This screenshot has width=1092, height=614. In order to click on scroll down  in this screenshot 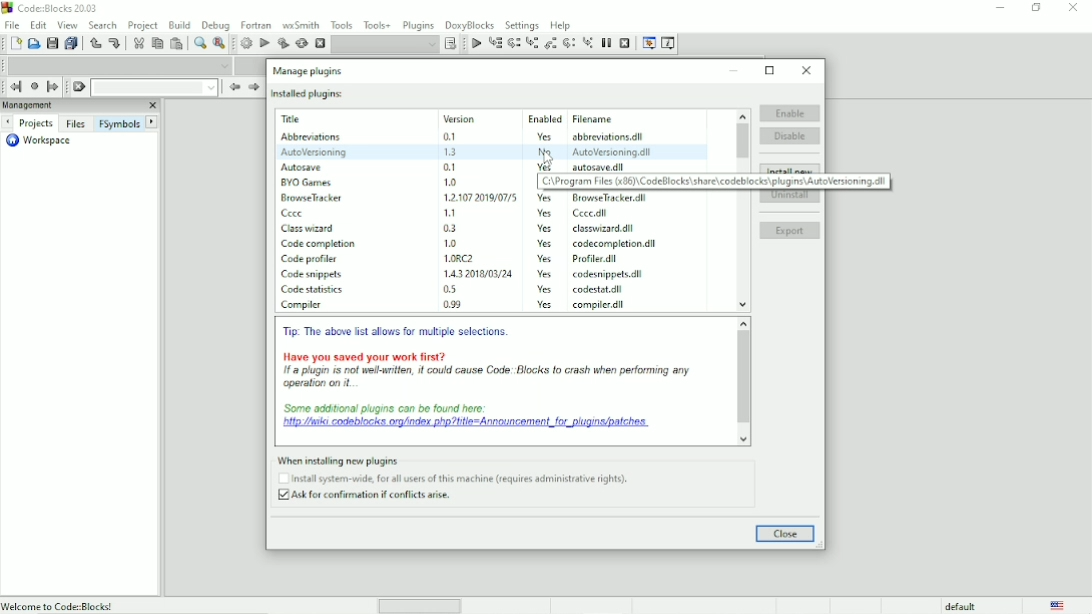, I will do `click(743, 305)`.